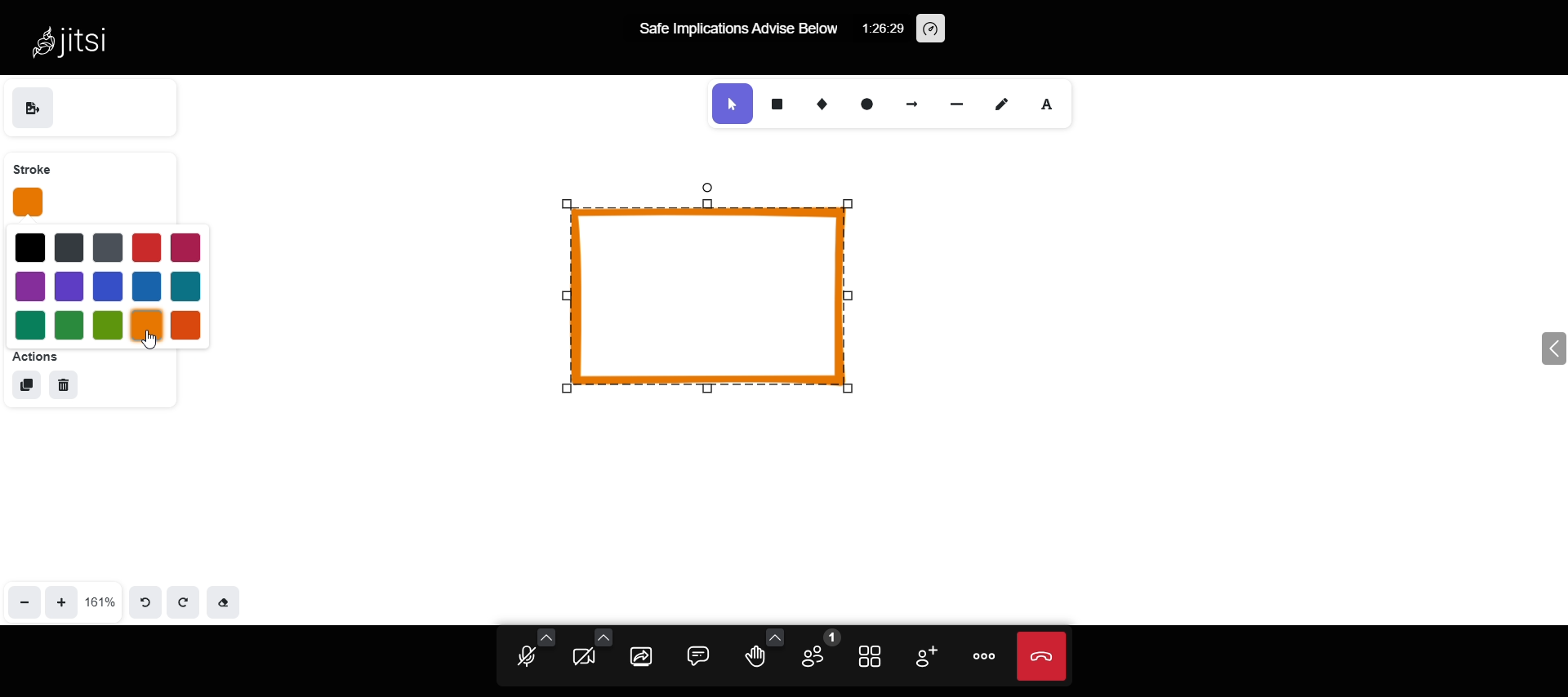 The width and height of the screenshot is (1568, 697). What do you see at coordinates (1054, 104) in the screenshot?
I see `font` at bounding box center [1054, 104].